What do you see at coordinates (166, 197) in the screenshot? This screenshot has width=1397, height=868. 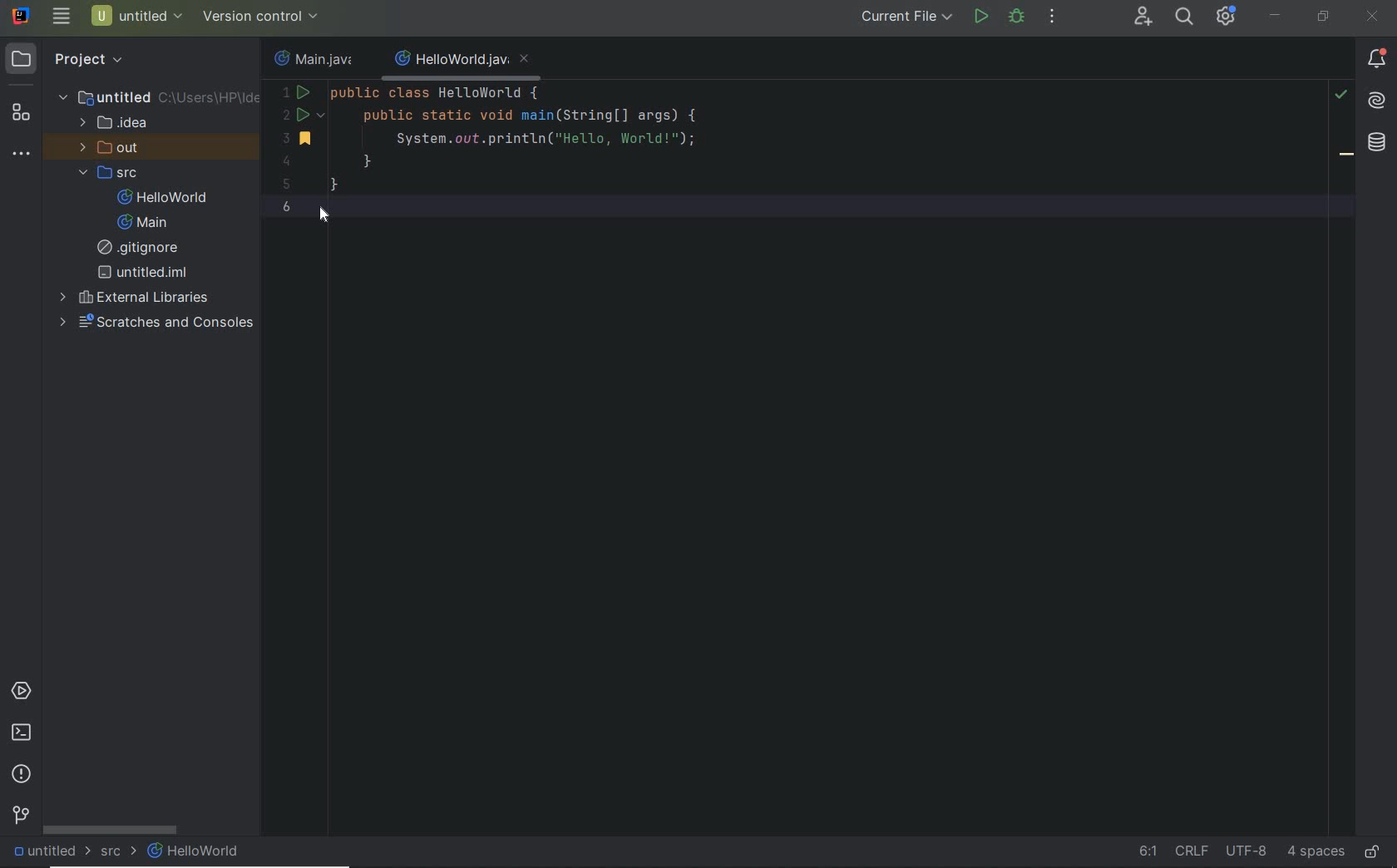 I see `HelloWorld` at bounding box center [166, 197].